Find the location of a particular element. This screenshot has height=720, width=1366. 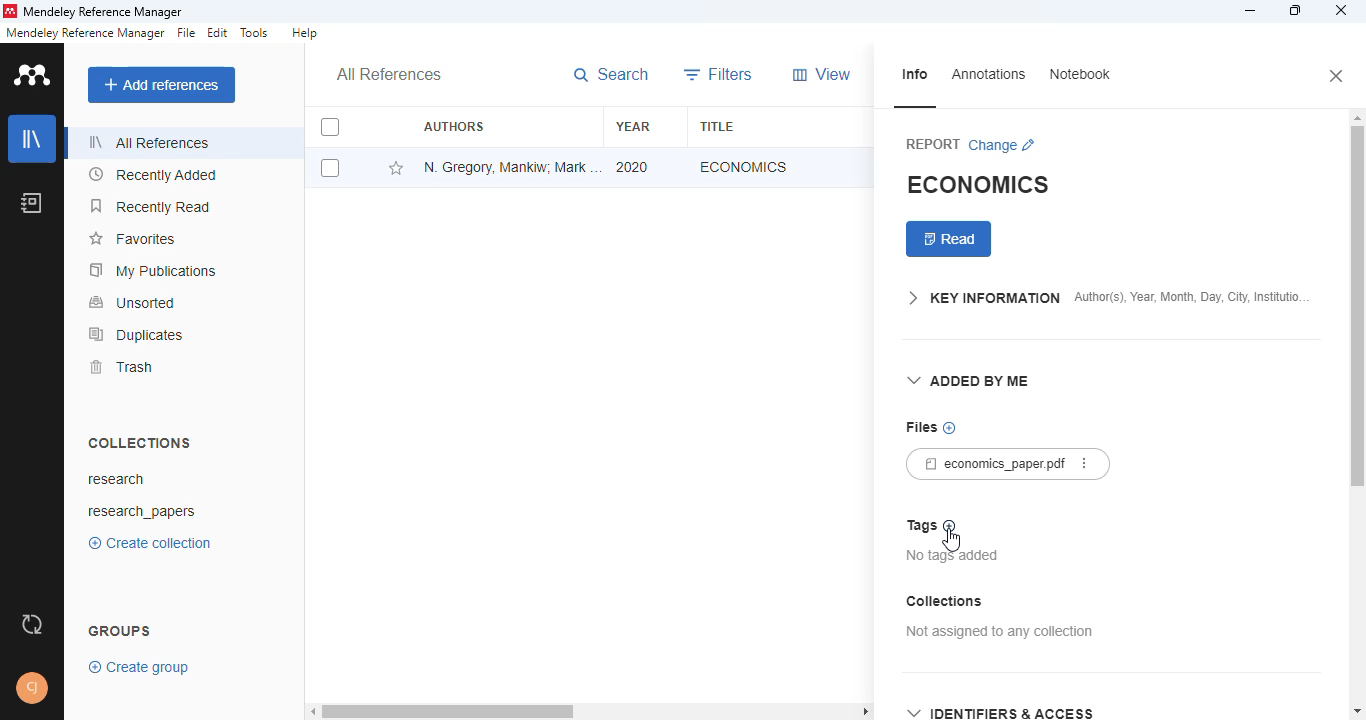

N. Gregory Mankiw, Mark P. Taylor is located at coordinates (513, 166).